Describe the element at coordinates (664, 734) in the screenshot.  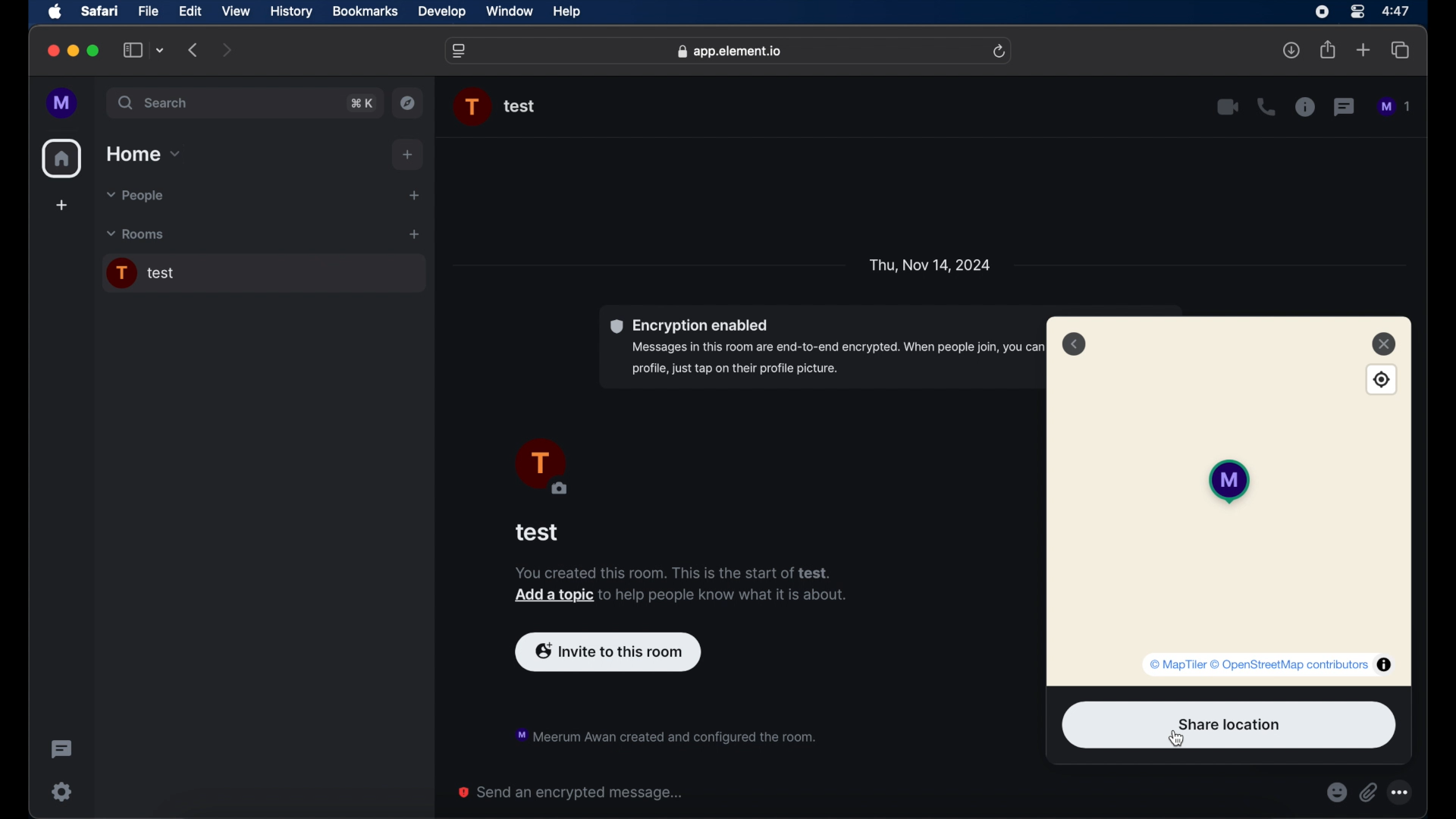
I see `notification` at that location.